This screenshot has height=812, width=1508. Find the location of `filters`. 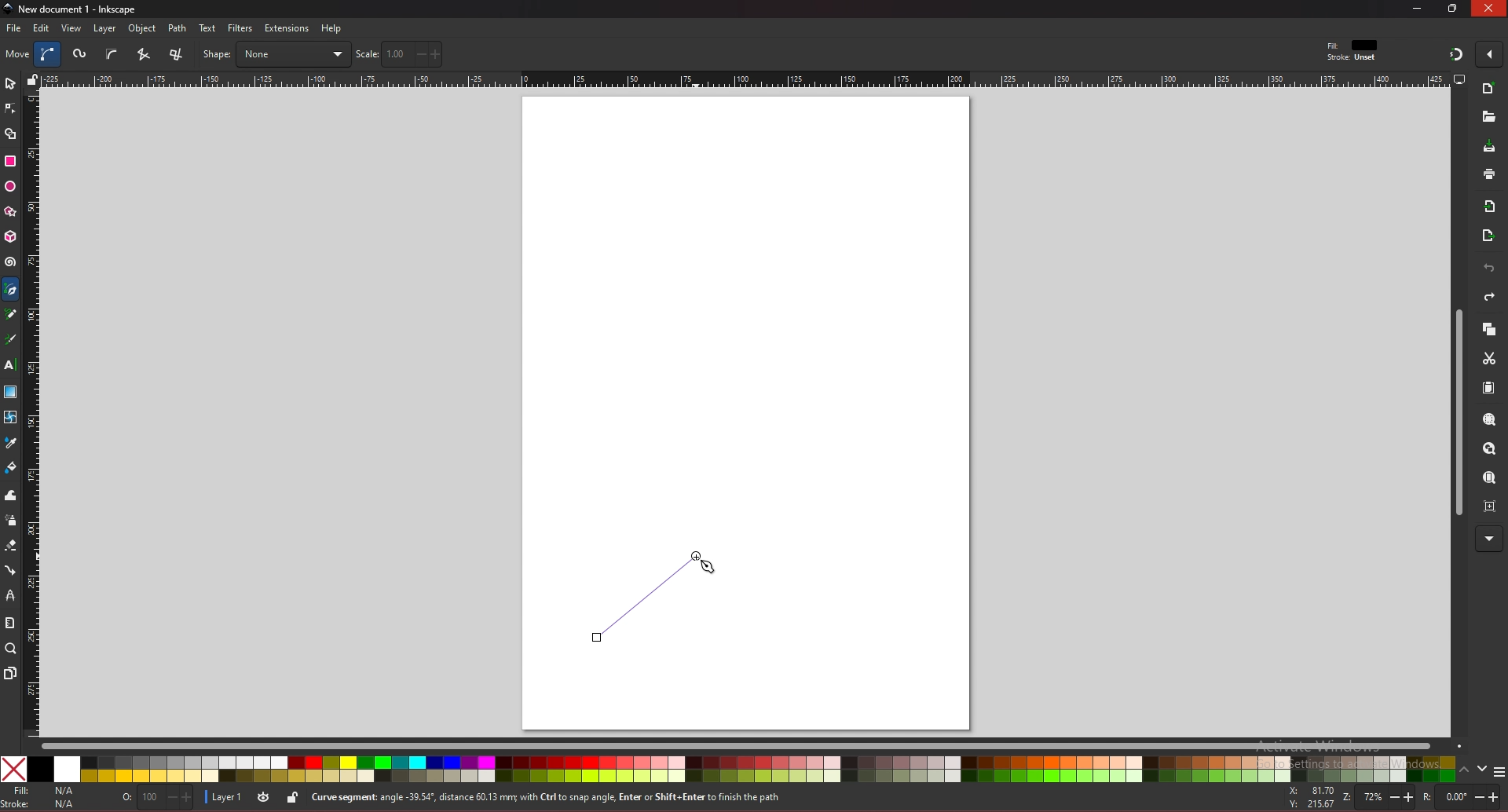

filters is located at coordinates (241, 28).